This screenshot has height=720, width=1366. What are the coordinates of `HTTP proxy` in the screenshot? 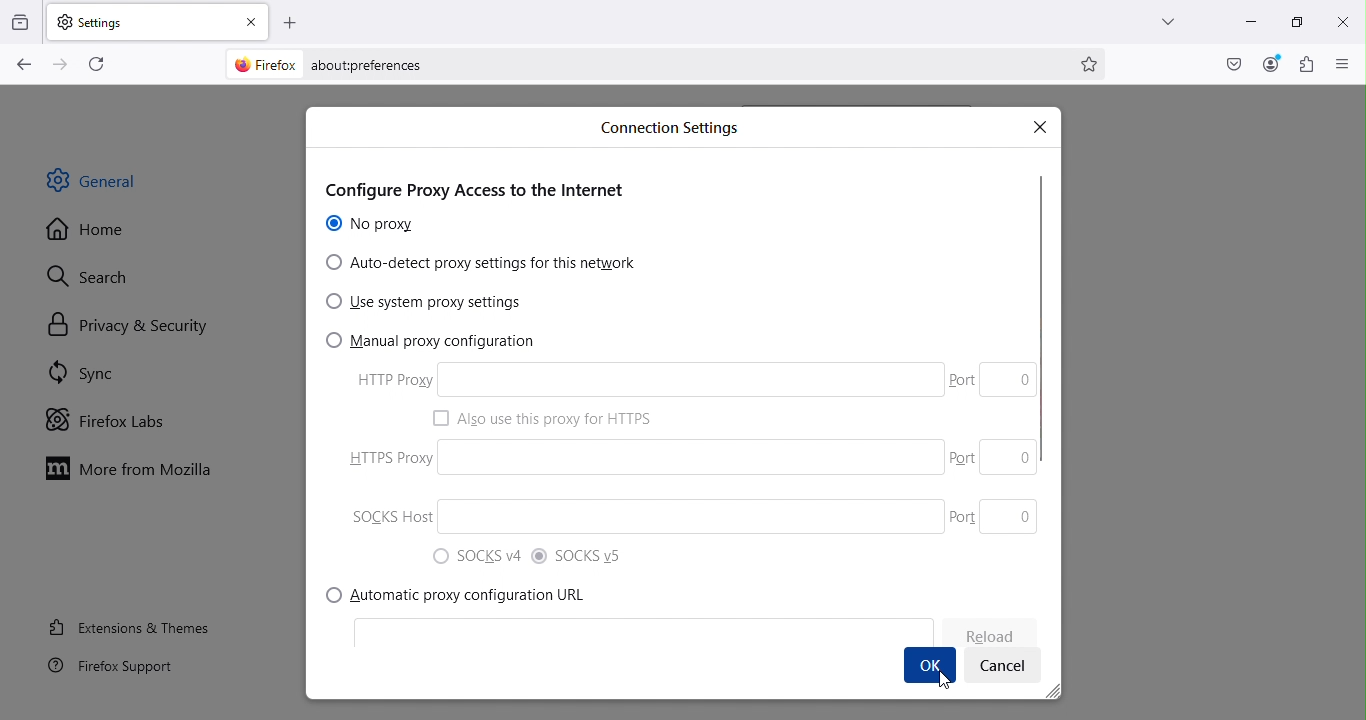 It's located at (644, 380).